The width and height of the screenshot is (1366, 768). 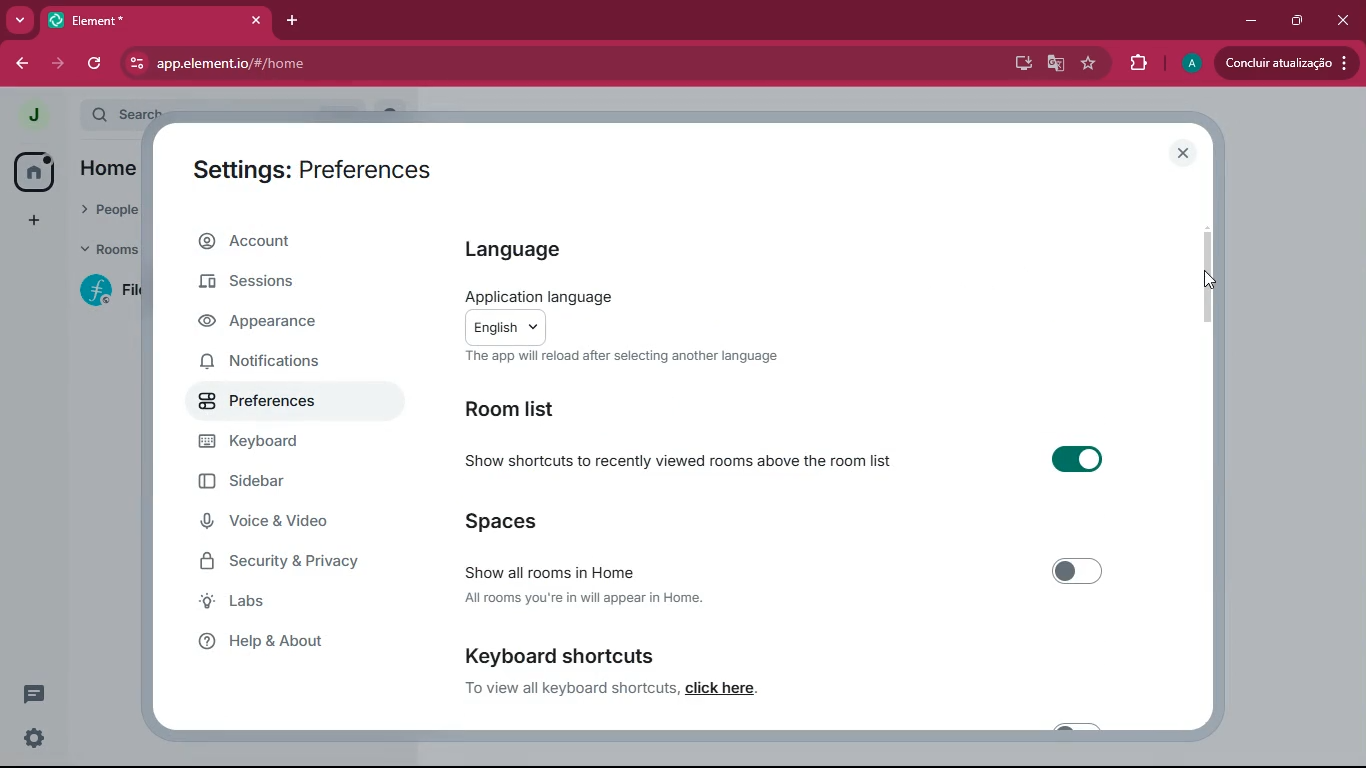 I want to click on click here., so click(x=723, y=688).